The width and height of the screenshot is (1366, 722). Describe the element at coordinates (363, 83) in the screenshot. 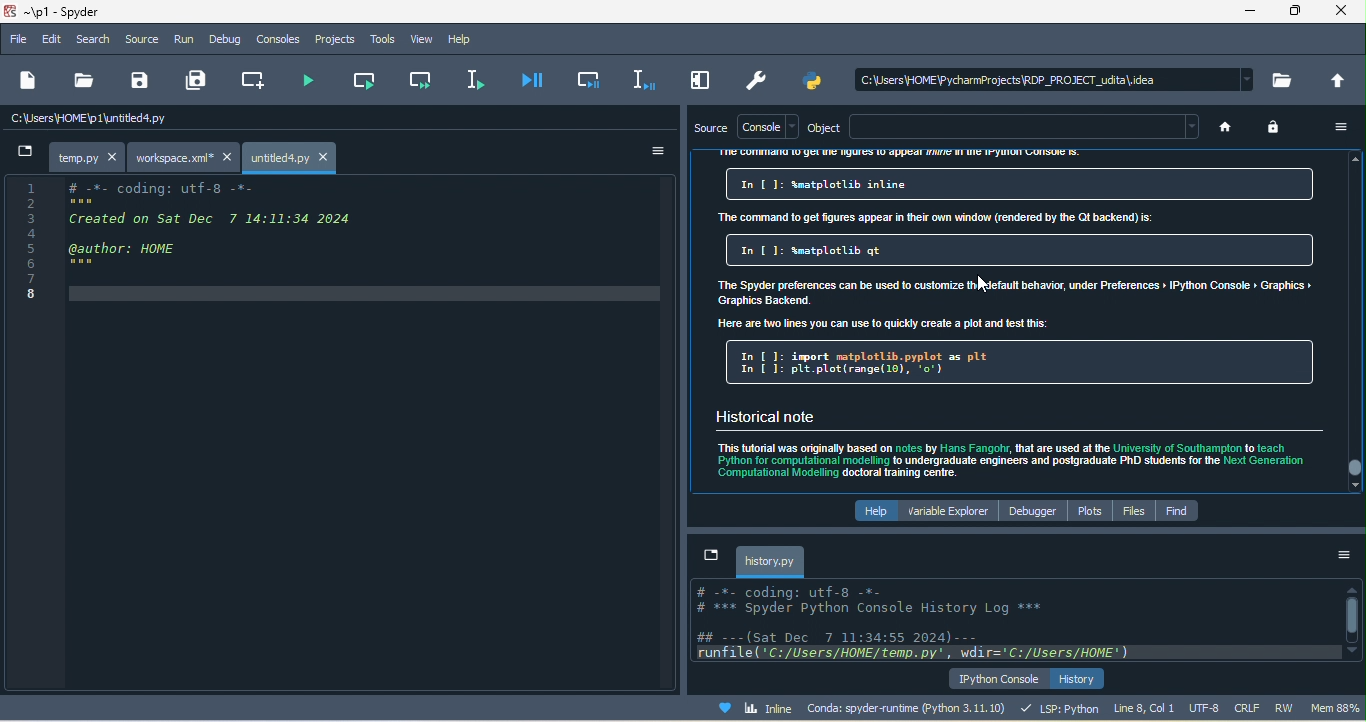

I see `run current cell` at that location.